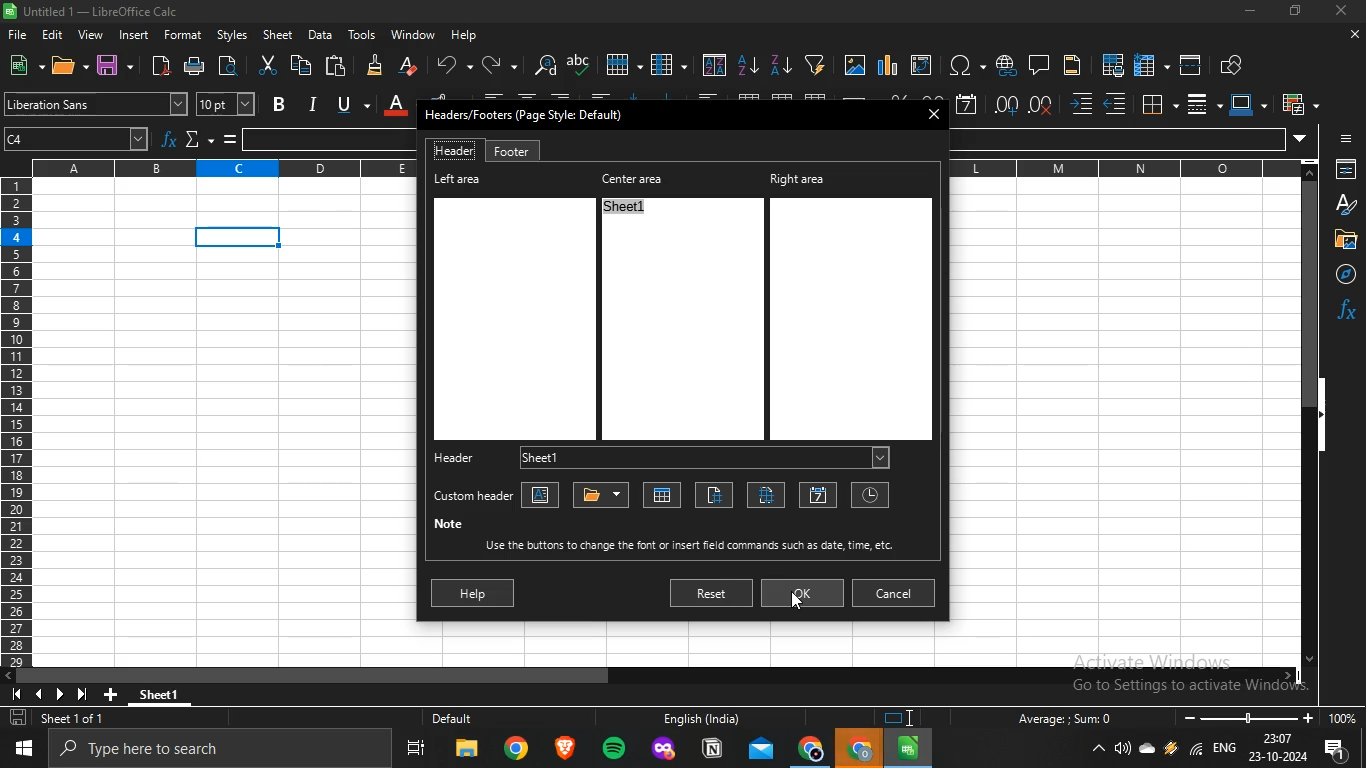 Image resolution: width=1366 pixels, height=768 pixels. What do you see at coordinates (543, 65) in the screenshot?
I see `find and replace` at bounding box center [543, 65].